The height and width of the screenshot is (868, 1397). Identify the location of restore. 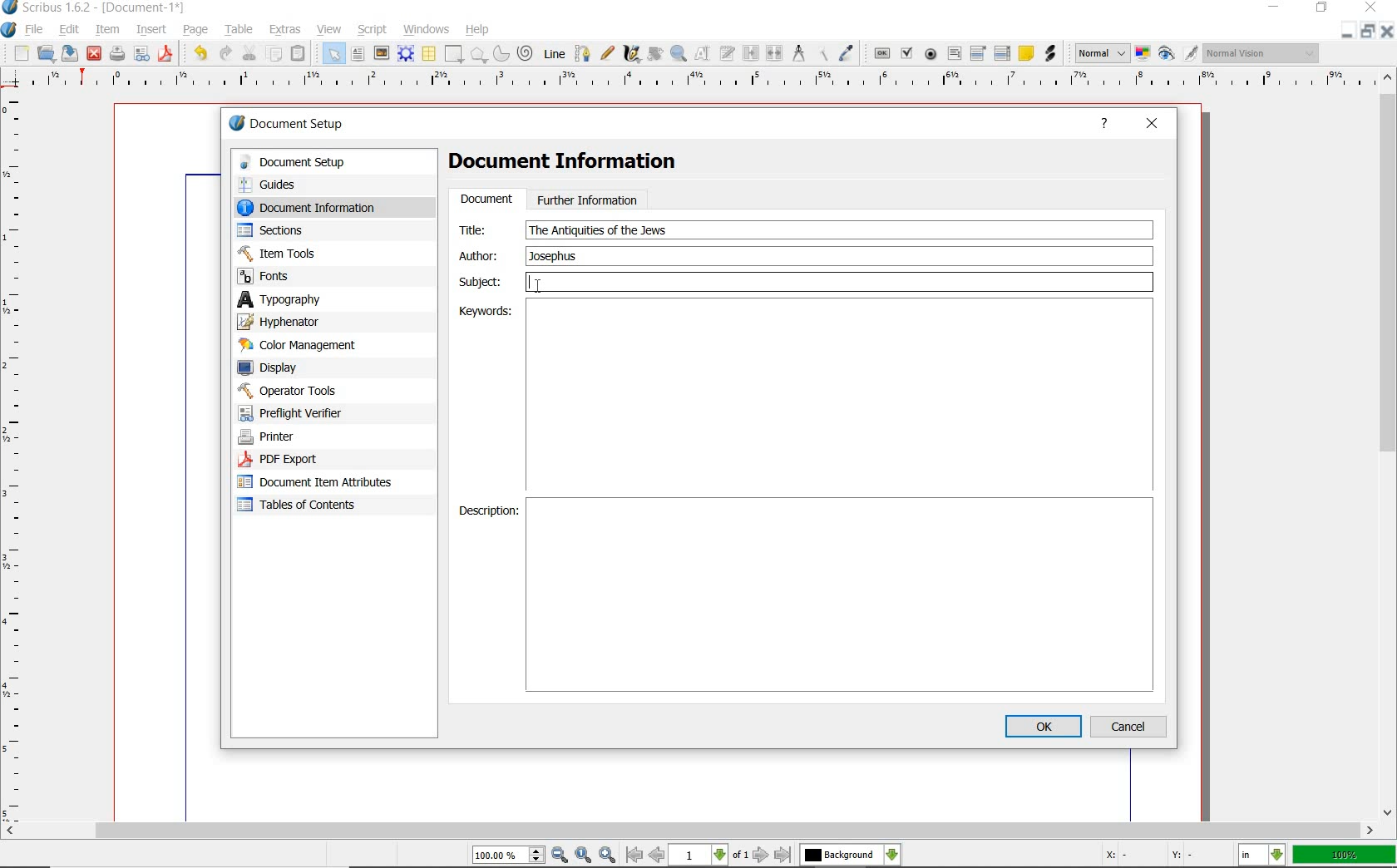
(1364, 30).